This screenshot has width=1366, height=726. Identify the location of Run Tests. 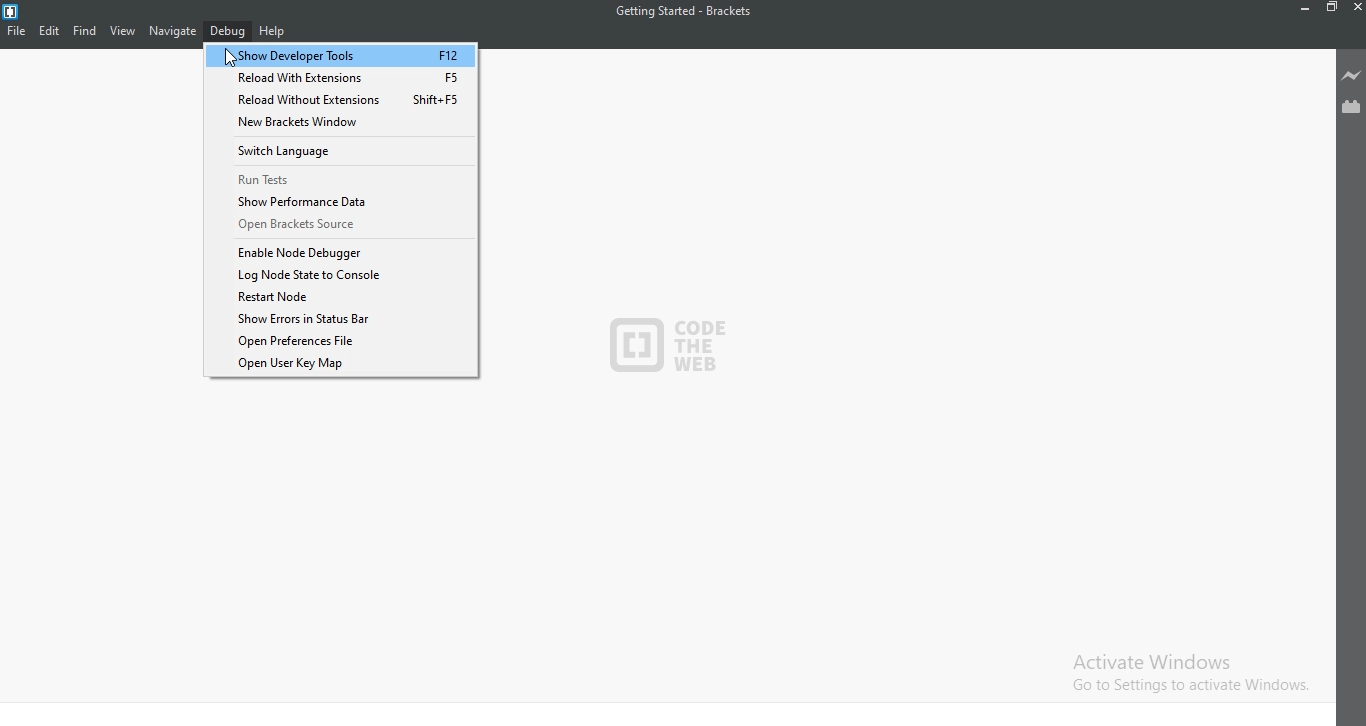
(344, 178).